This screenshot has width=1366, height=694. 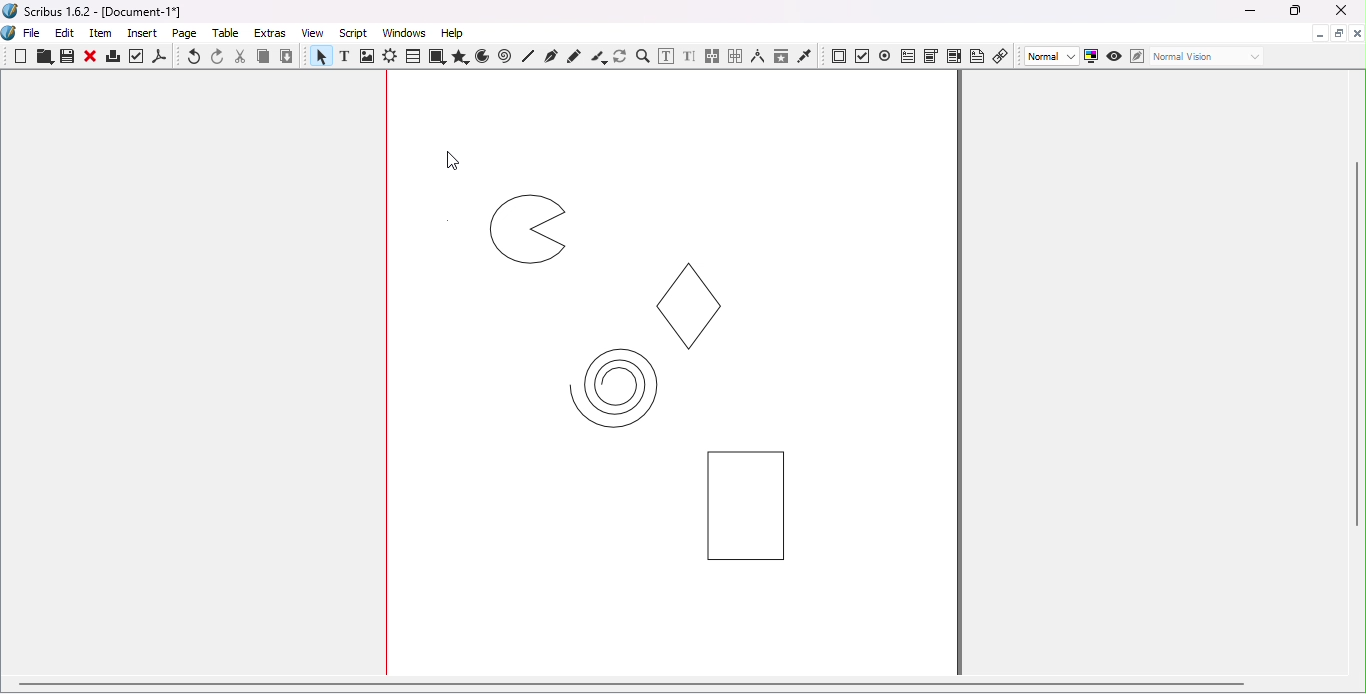 I want to click on Select the visual appearance of the display, so click(x=1206, y=57).